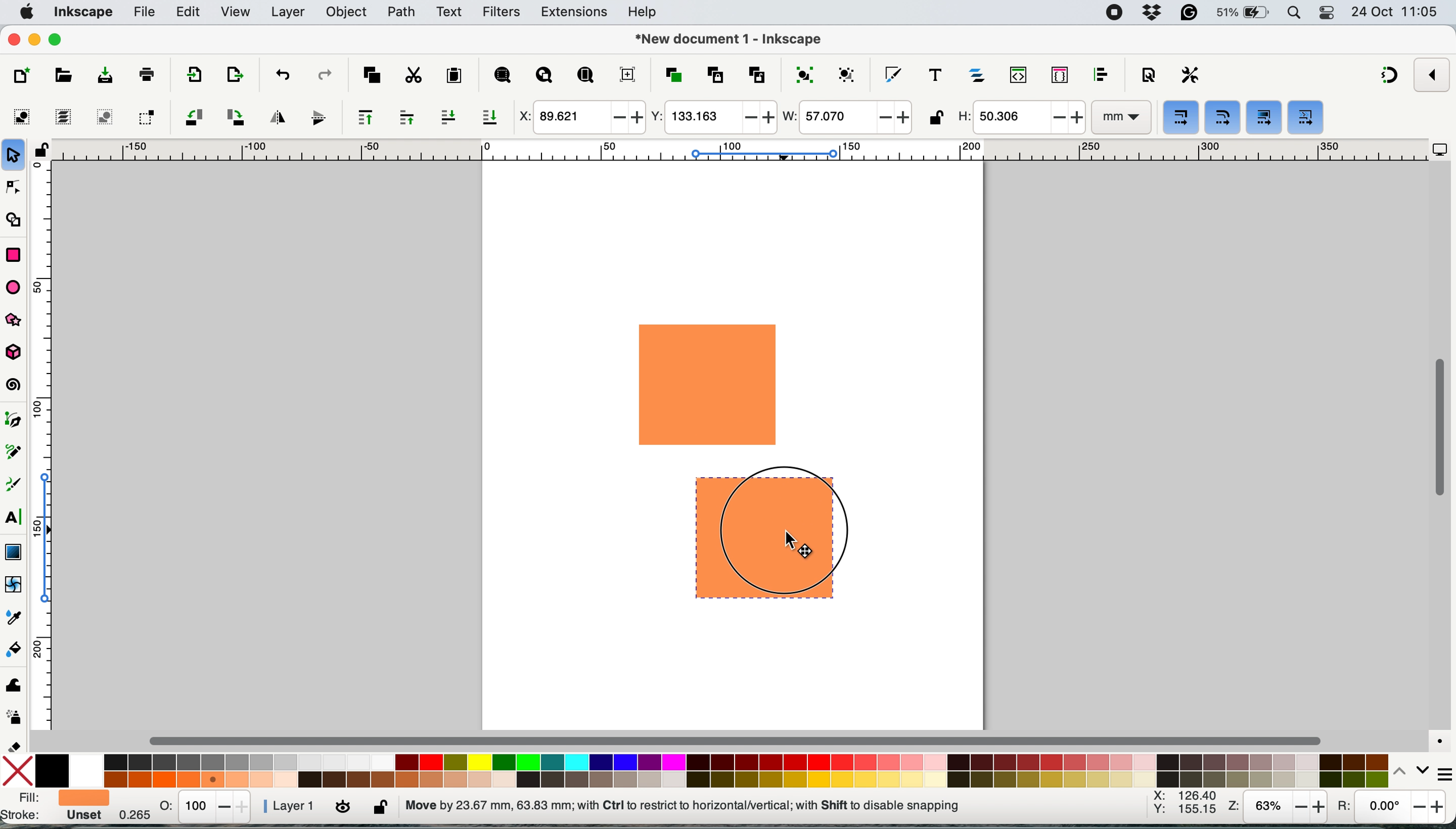 The image size is (1456, 829). Describe the element at coordinates (501, 76) in the screenshot. I see `zoom selection` at that location.